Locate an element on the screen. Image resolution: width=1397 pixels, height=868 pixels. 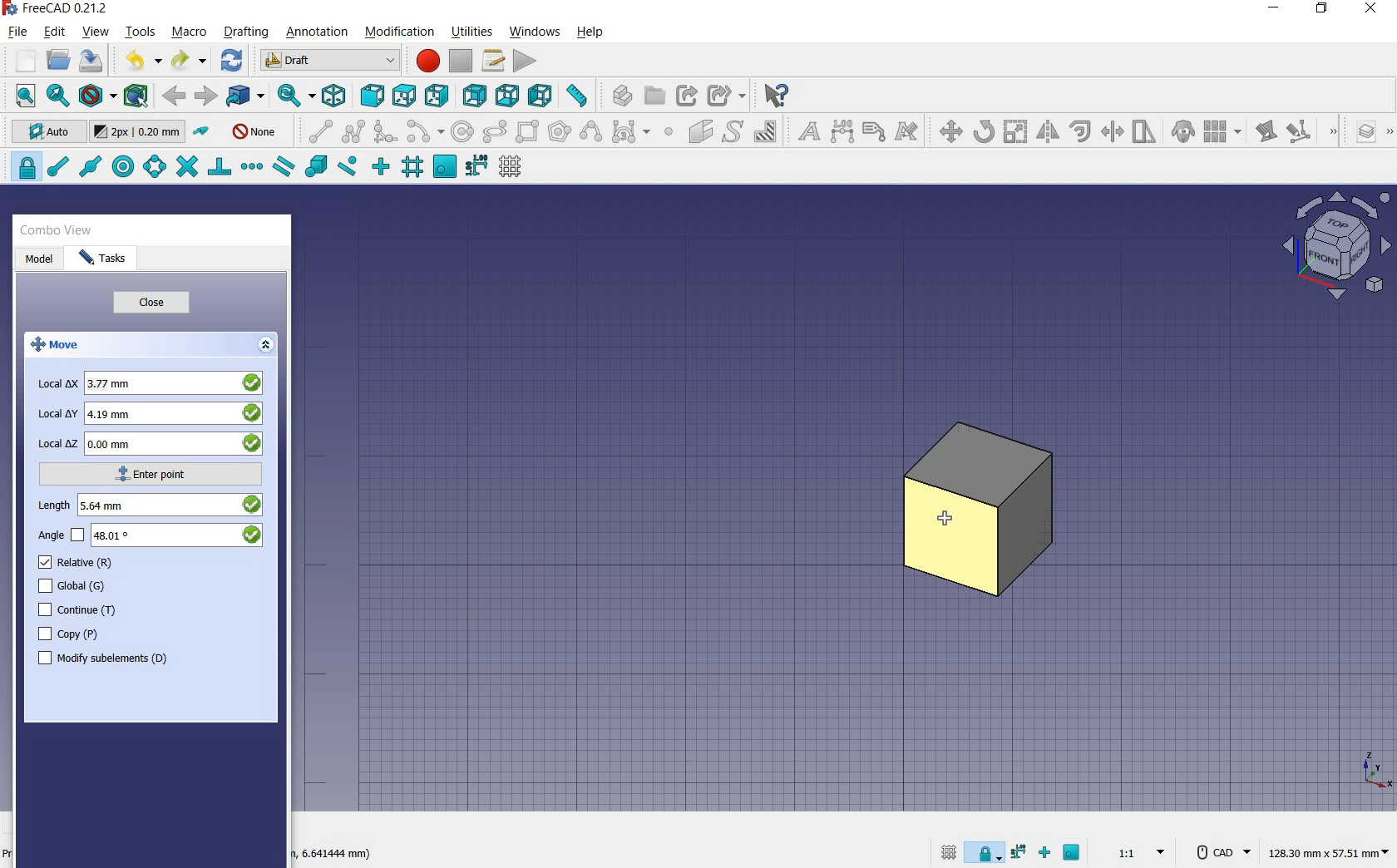
go to linked objects is located at coordinates (244, 96).